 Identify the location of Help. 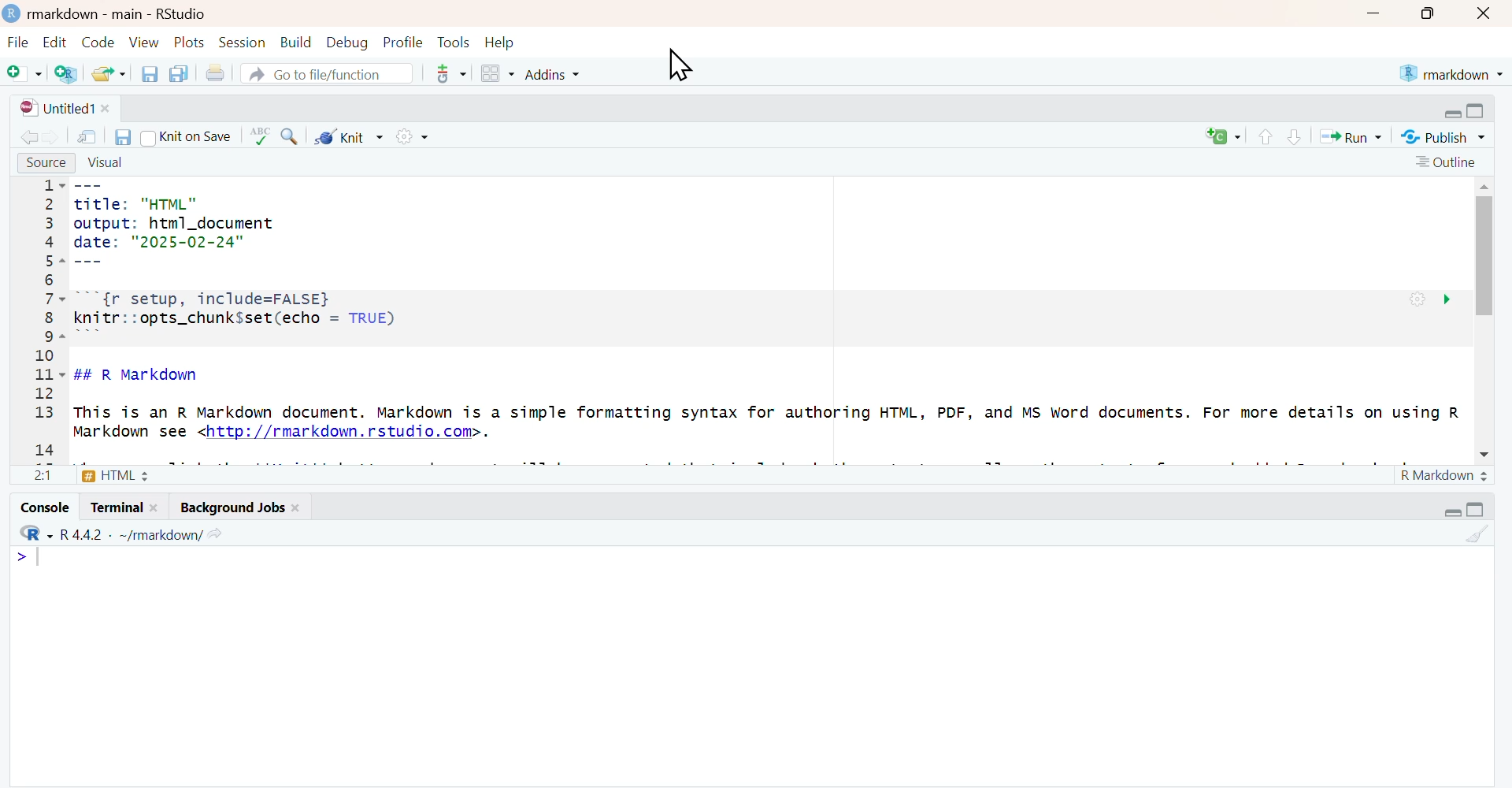
(500, 43).